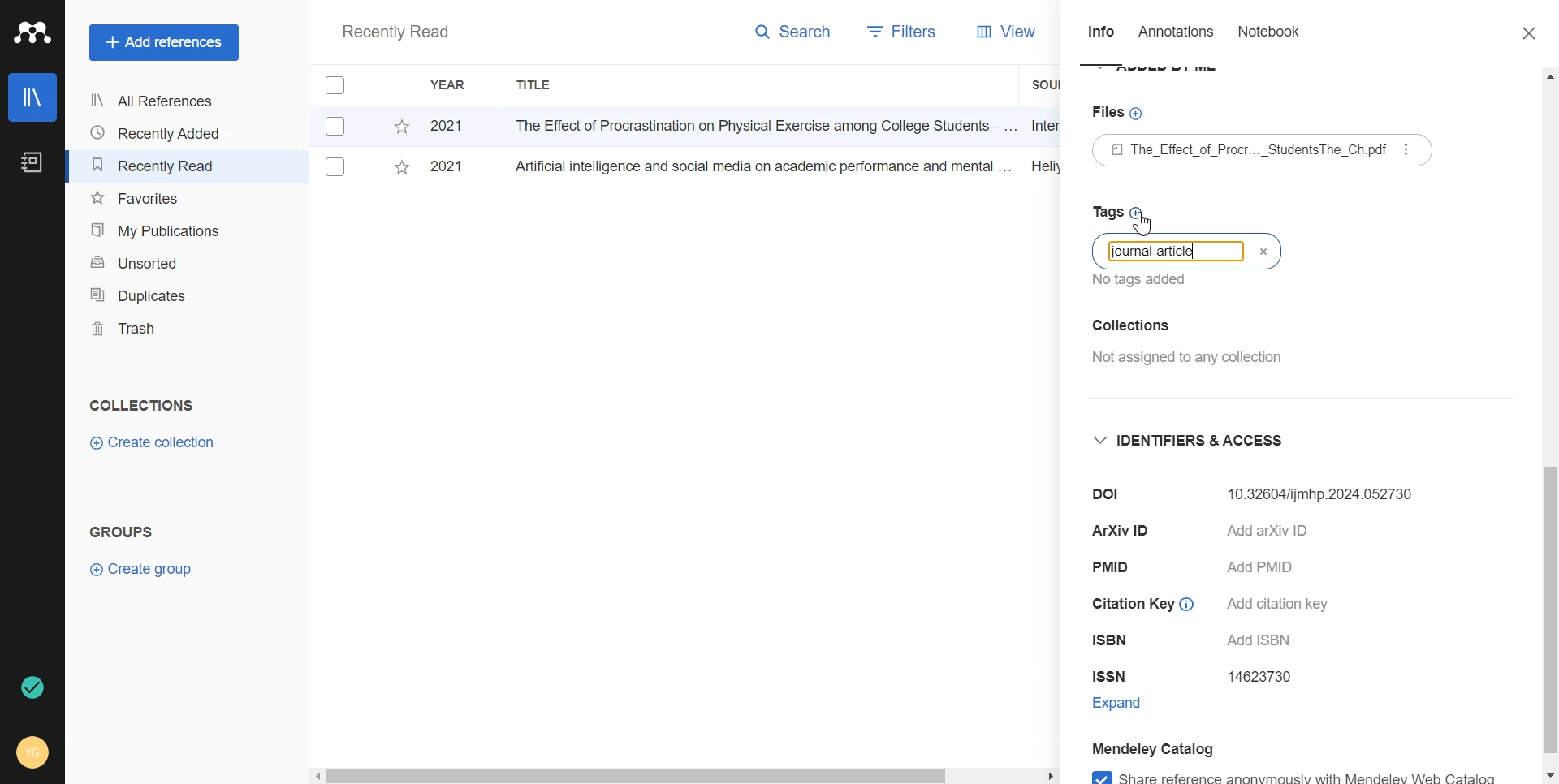  I want to click on Citation Key © Add citation key, so click(1217, 603).